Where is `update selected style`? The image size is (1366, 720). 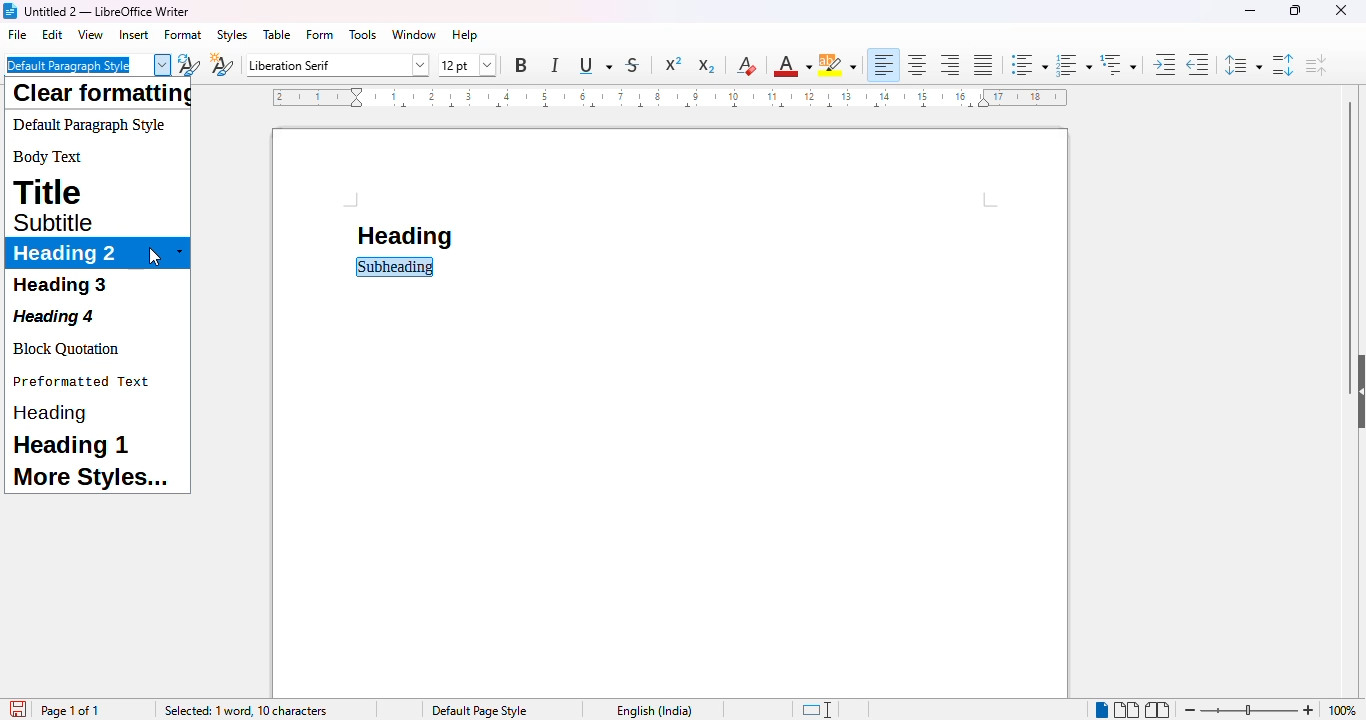 update selected style is located at coordinates (190, 65).